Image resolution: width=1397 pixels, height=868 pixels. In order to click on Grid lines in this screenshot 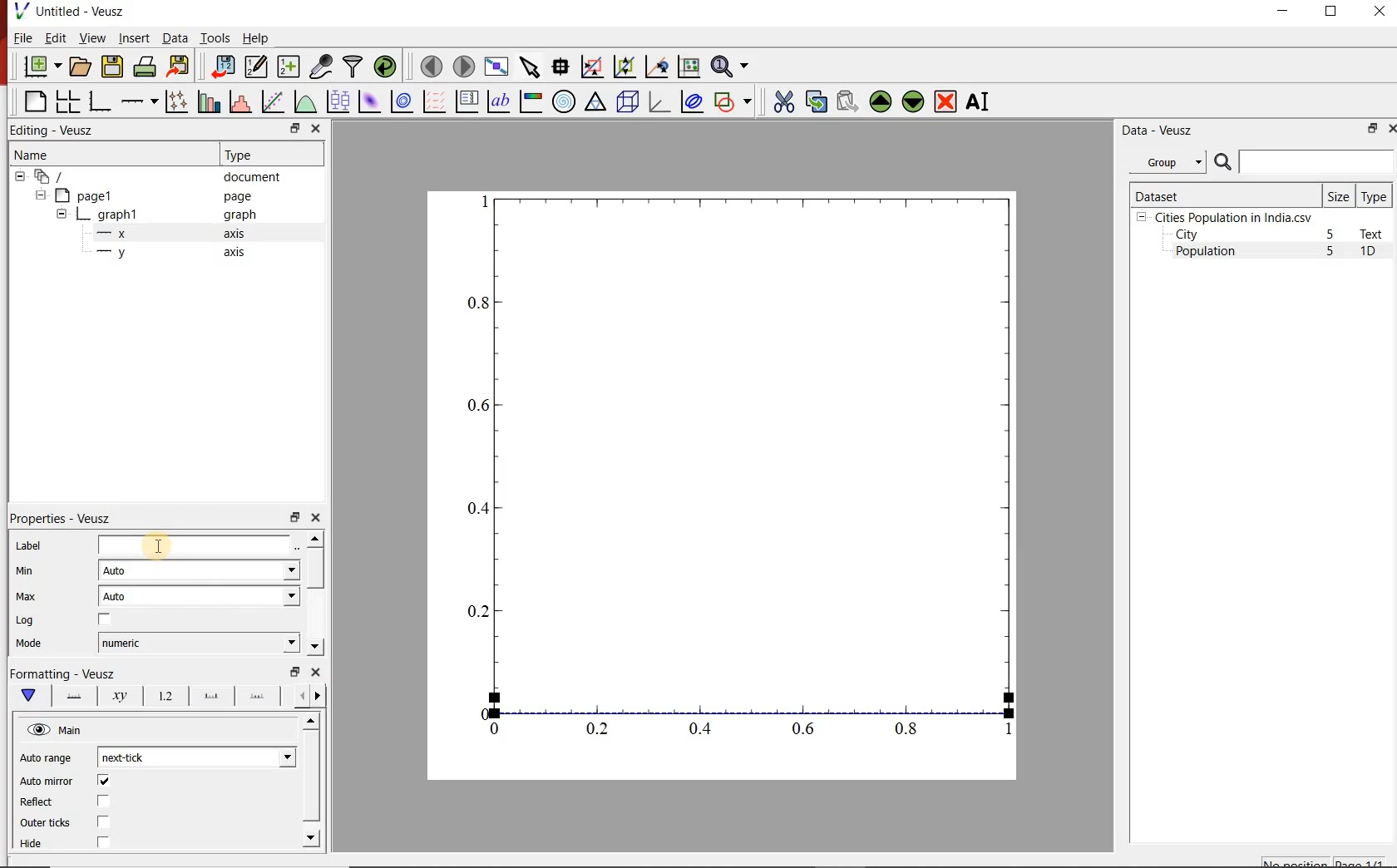, I will do `click(312, 695)`.